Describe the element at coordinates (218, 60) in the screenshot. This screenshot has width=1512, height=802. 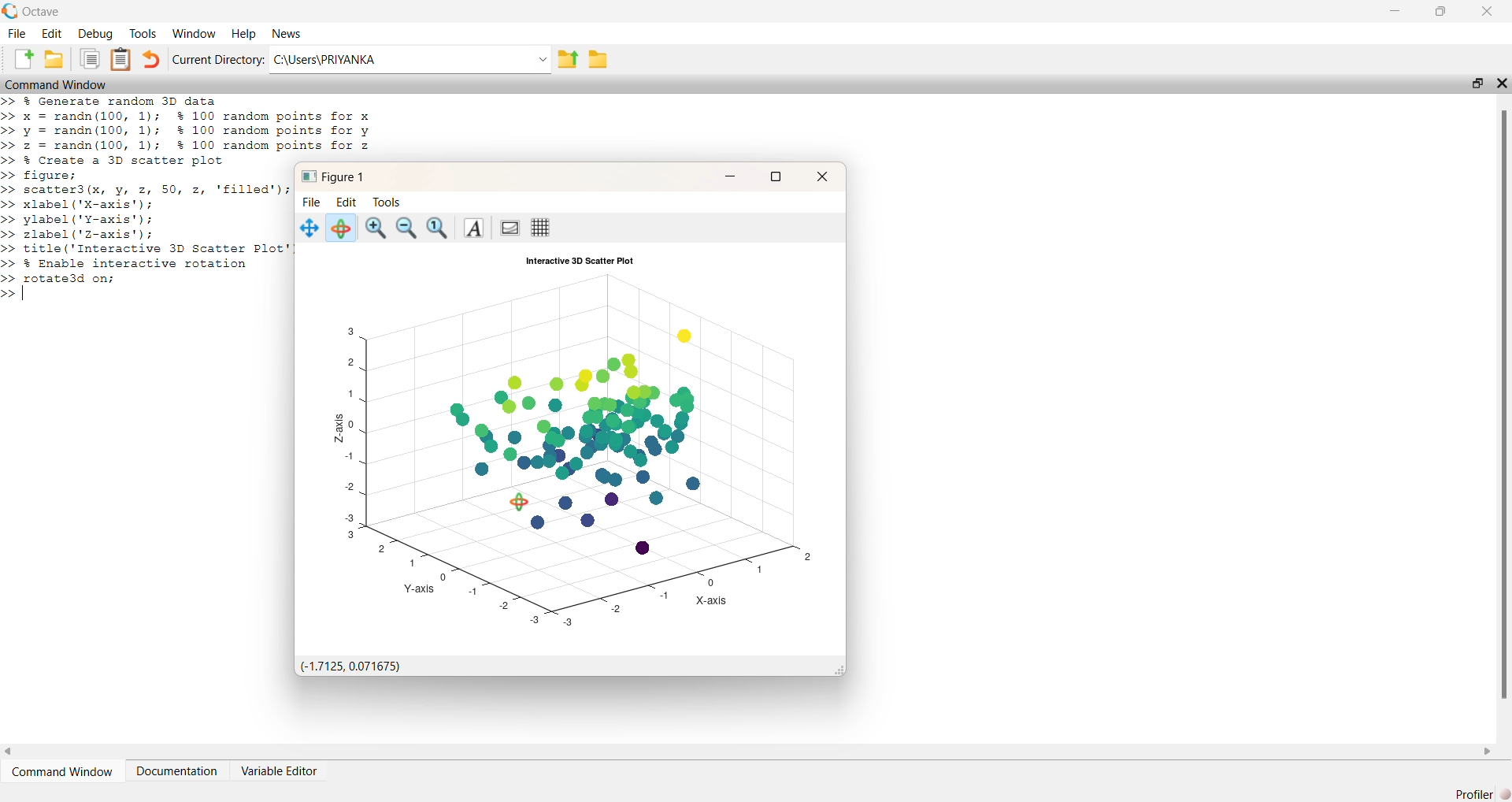
I see `Current Directory:` at that location.